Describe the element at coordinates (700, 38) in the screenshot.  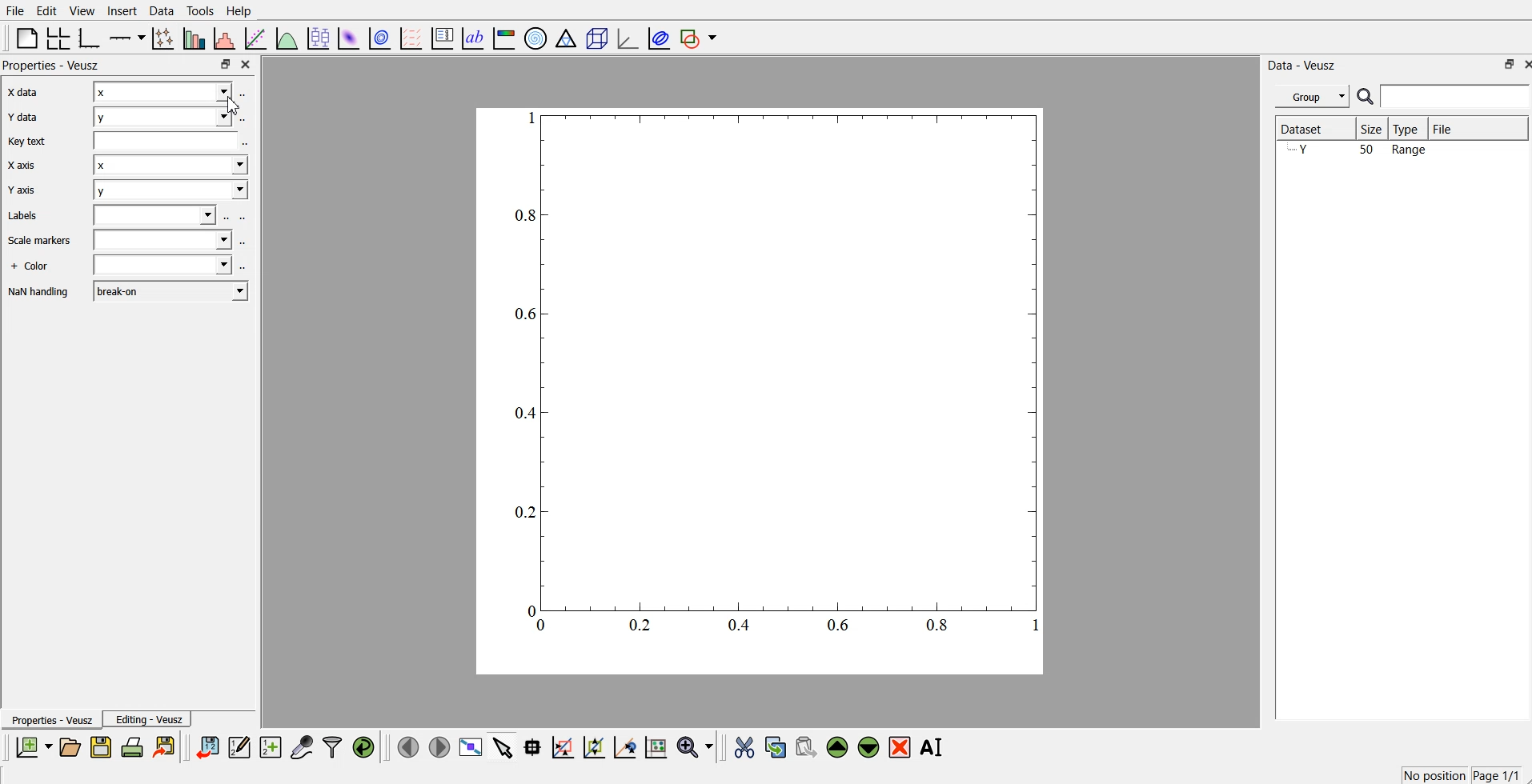
I see `add a shape` at that location.